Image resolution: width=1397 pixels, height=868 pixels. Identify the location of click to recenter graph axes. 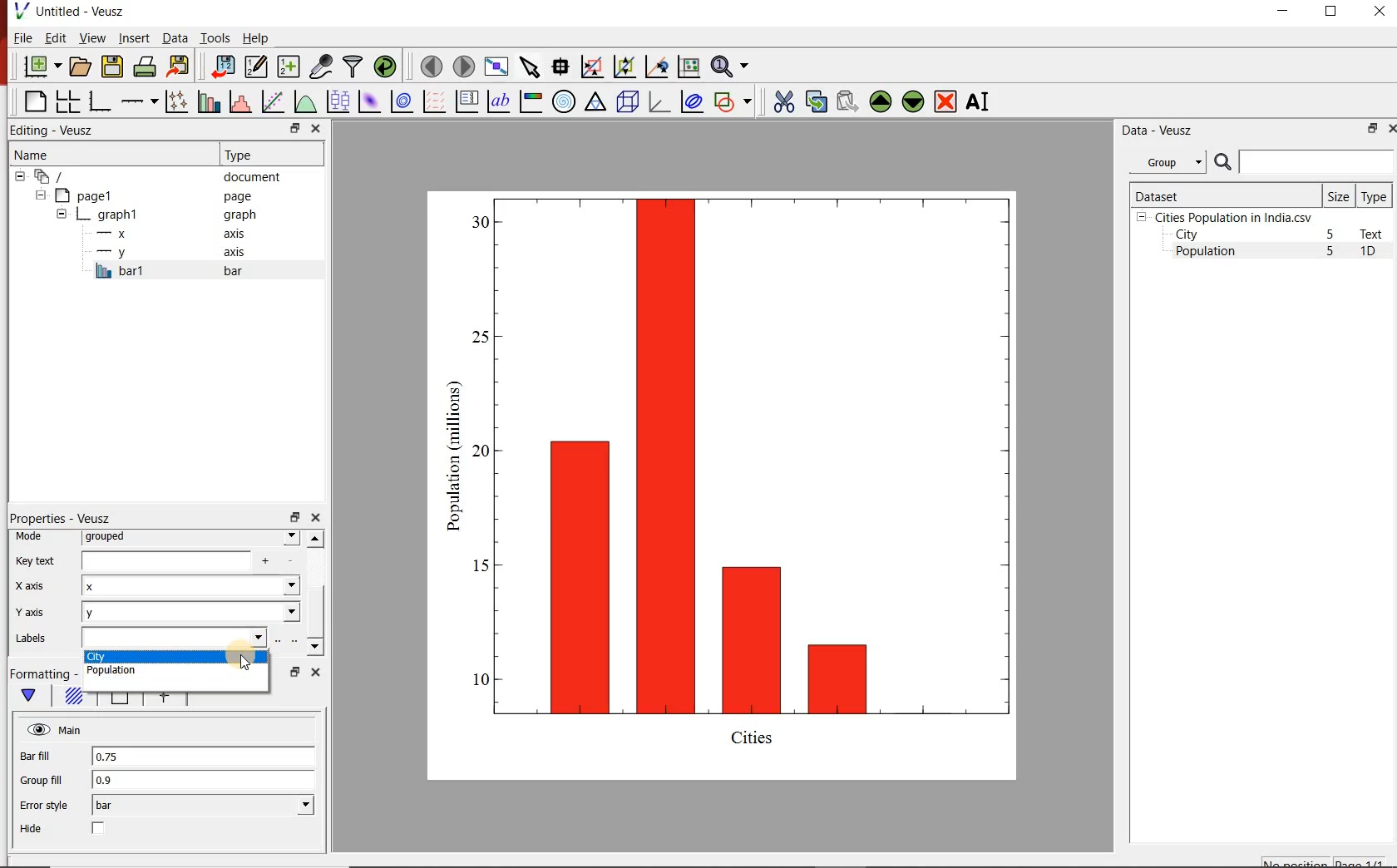
(655, 67).